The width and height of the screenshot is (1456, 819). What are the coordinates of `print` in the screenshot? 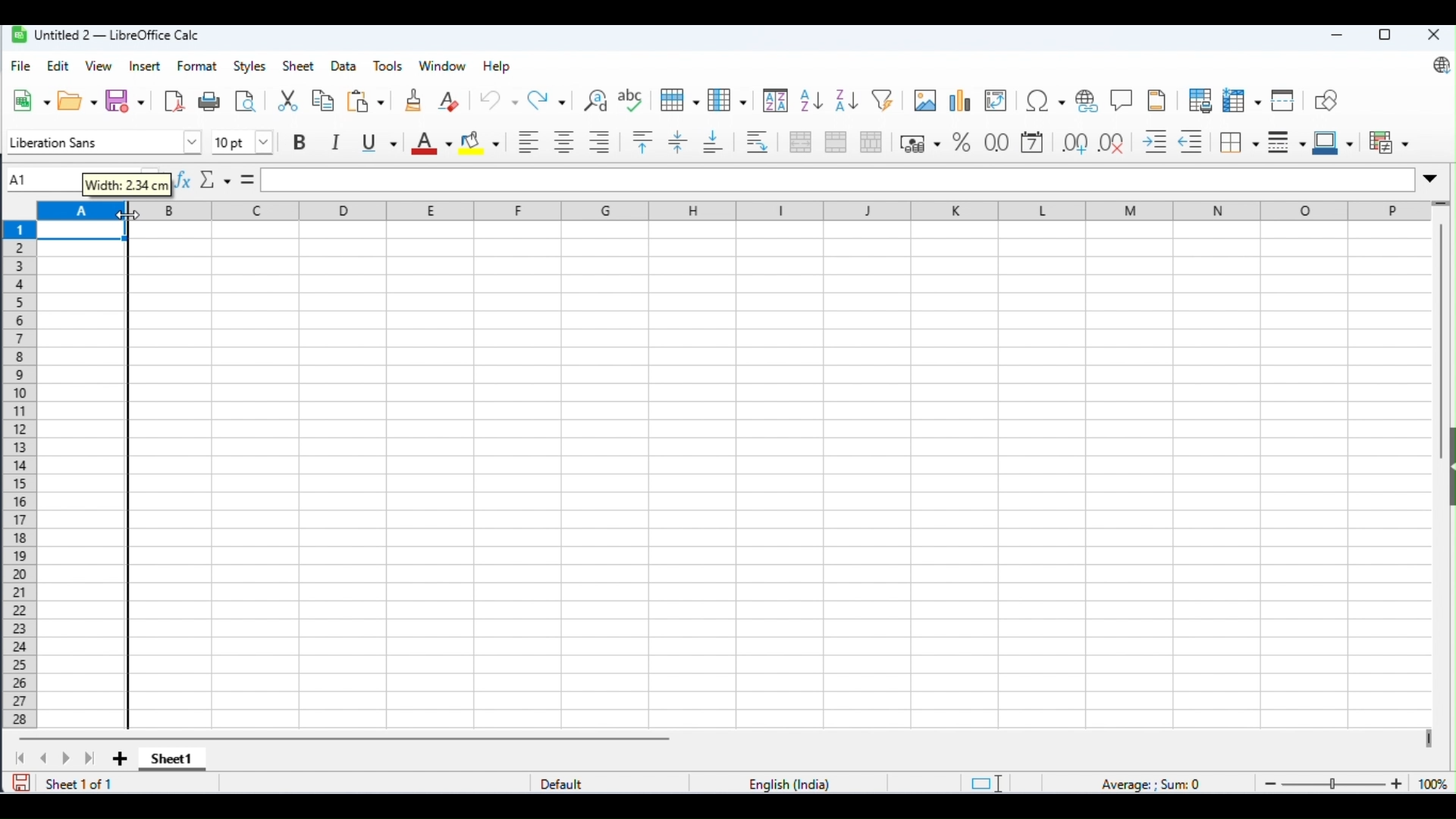 It's located at (211, 101).